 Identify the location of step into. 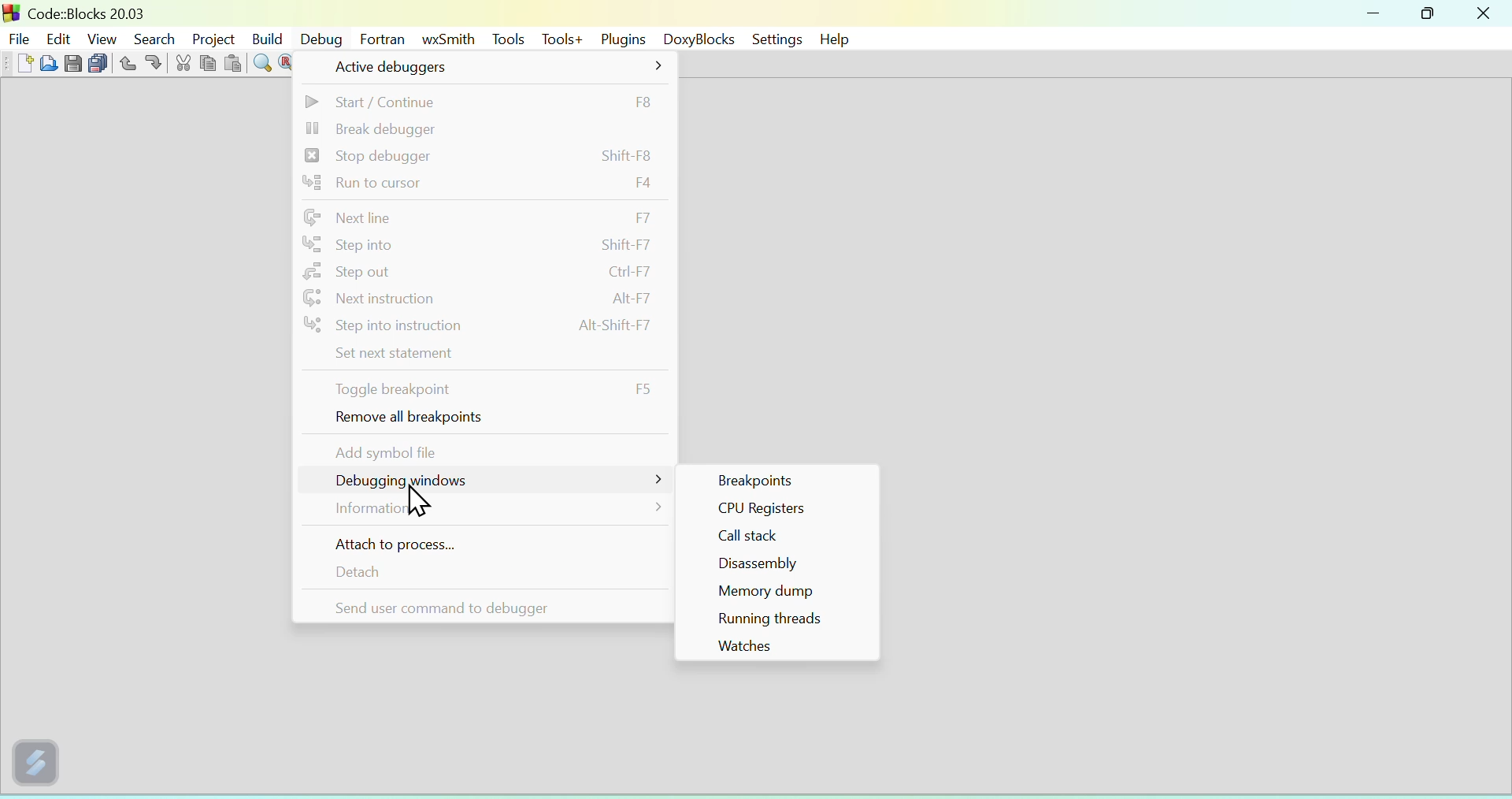
(482, 245).